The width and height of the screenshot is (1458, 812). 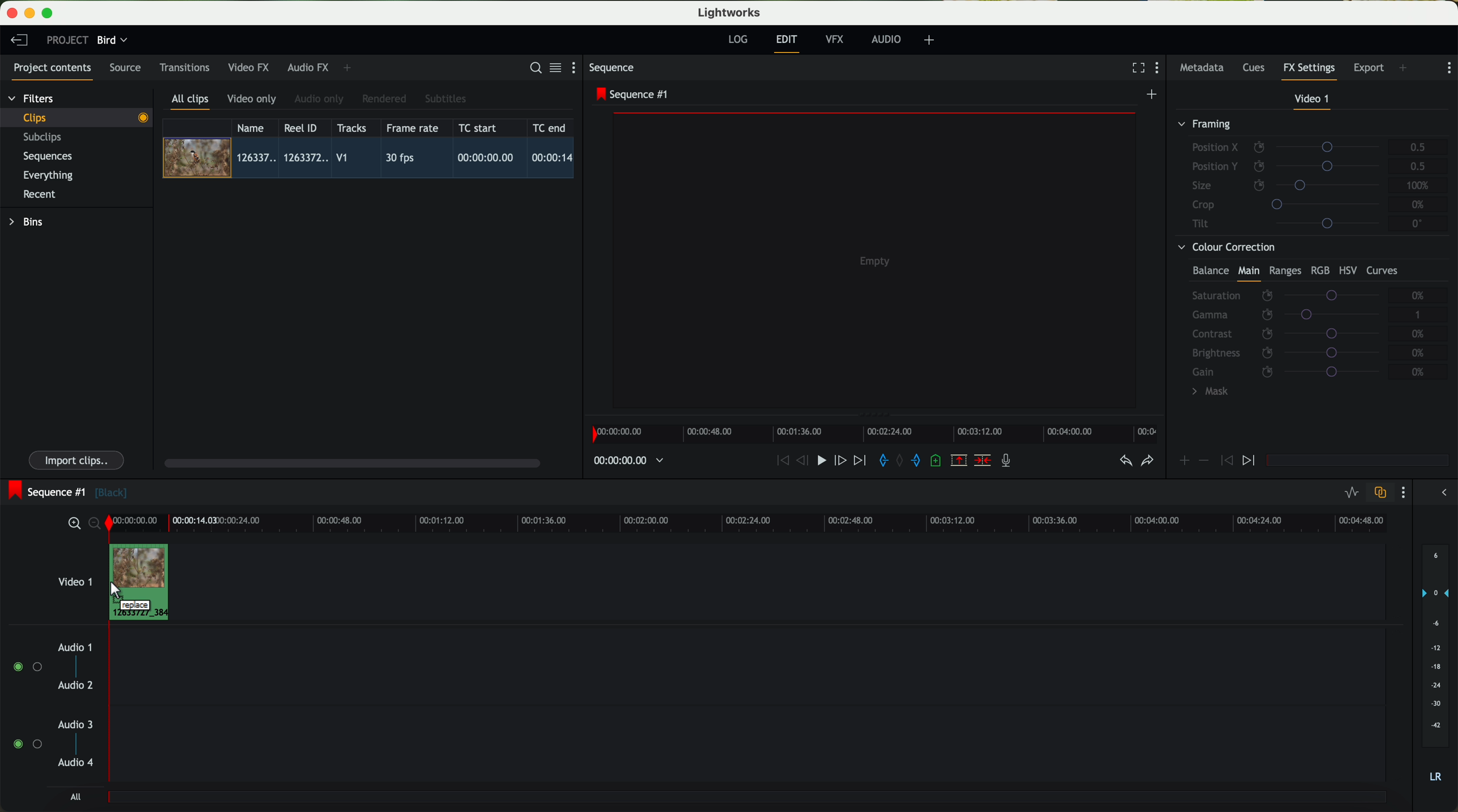 What do you see at coordinates (75, 797) in the screenshot?
I see `all` at bounding box center [75, 797].